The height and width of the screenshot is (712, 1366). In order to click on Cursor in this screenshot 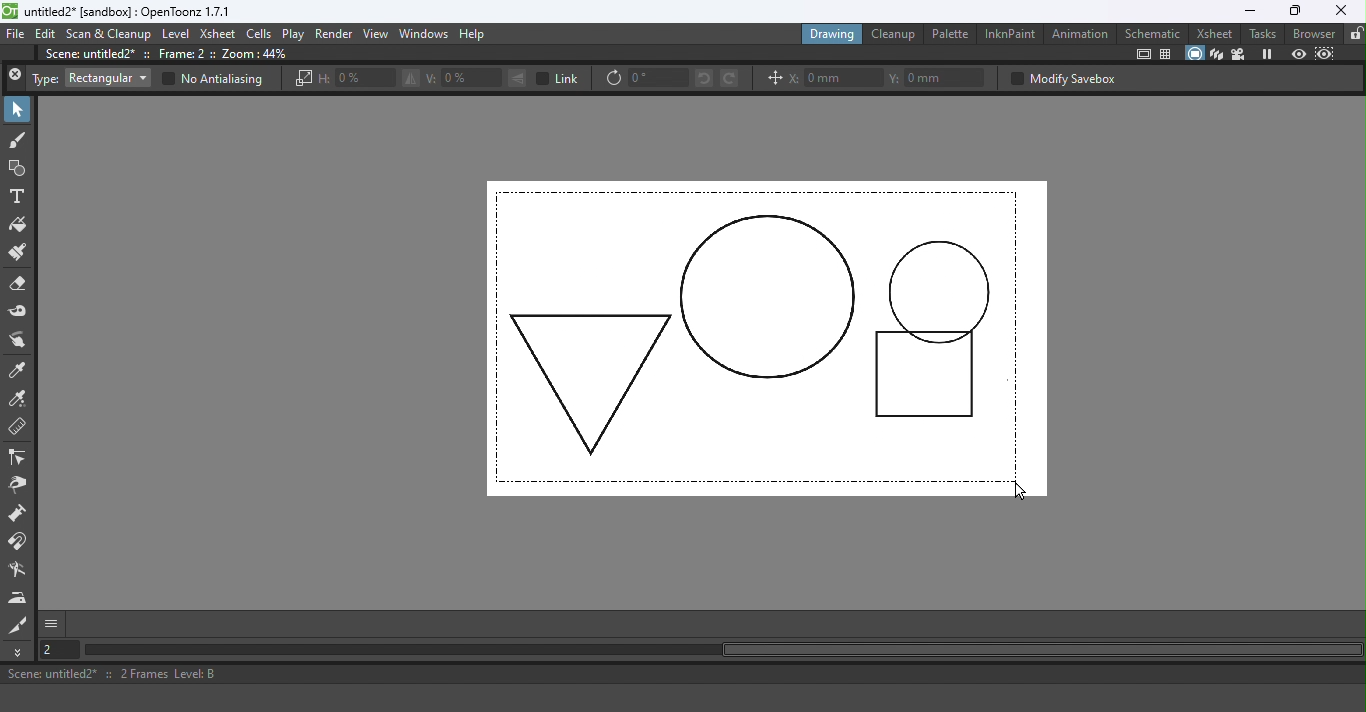, I will do `click(1021, 493)`.